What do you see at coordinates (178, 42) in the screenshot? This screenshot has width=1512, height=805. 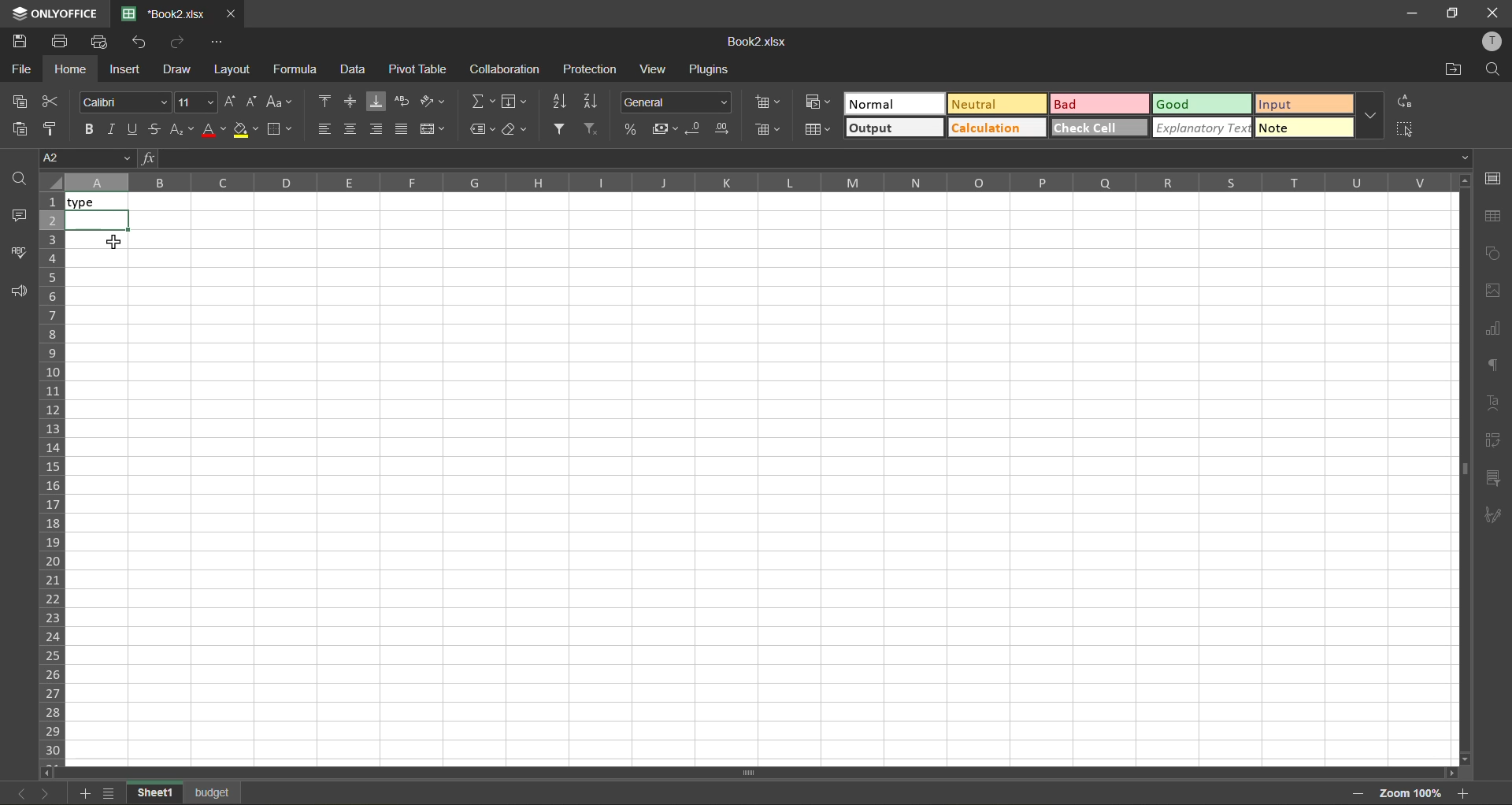 I see `redo` at bounding box center [178, 42].